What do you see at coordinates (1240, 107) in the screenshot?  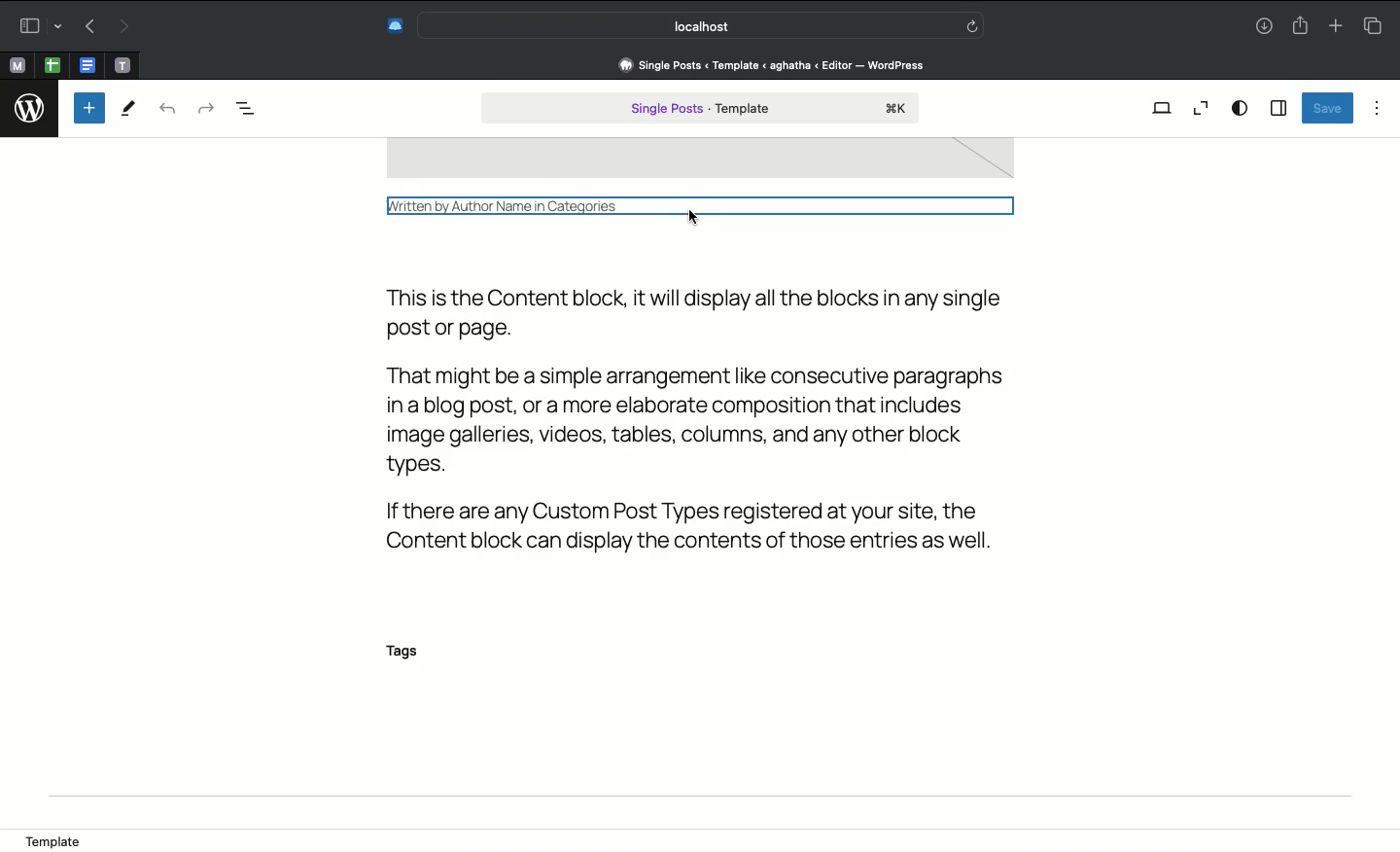 I see `View options` at bounding box center [1240, 107].